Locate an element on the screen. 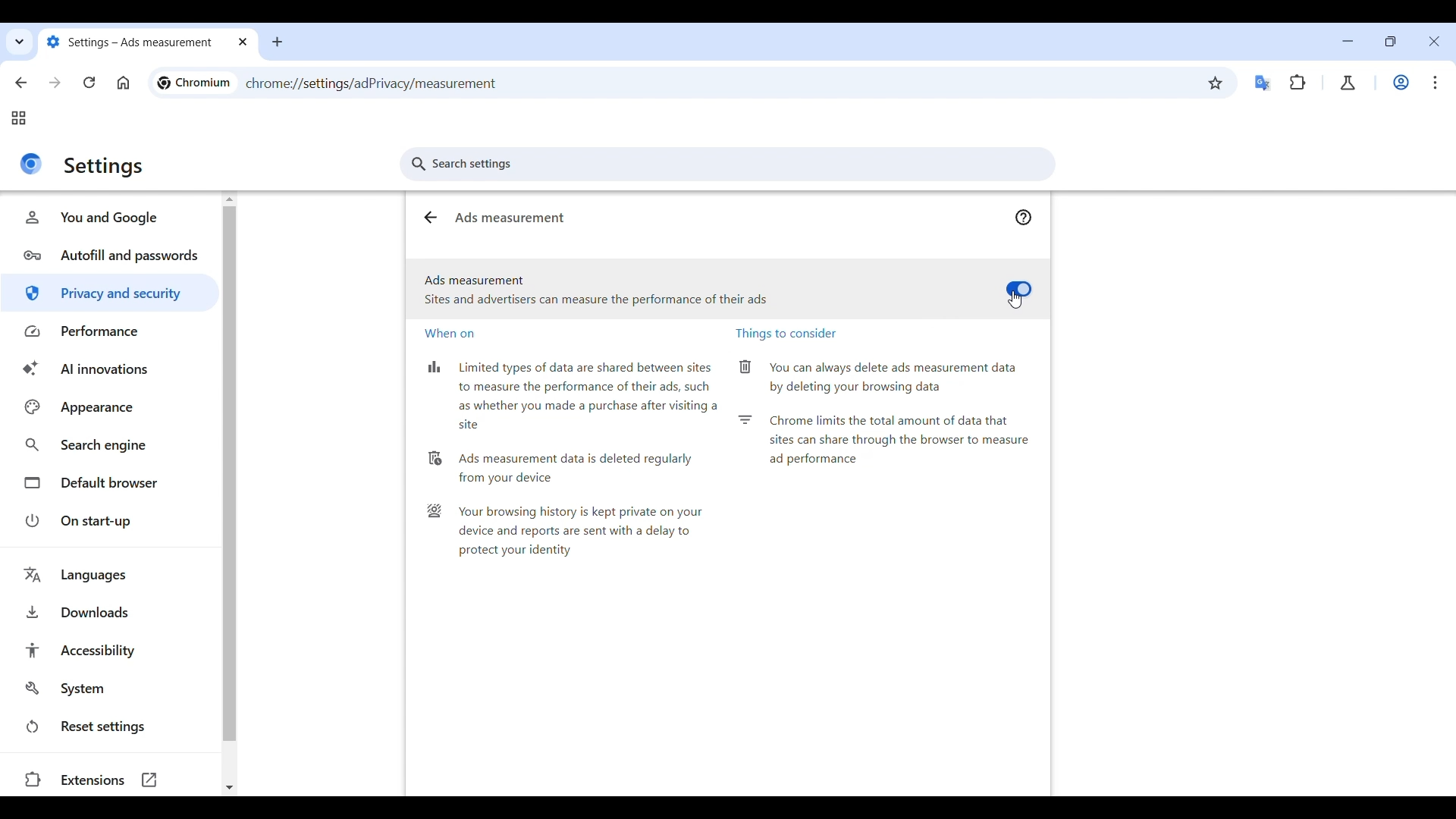 The height and width of the screenshot is (819, 1456). Default browser is located at coordinates (109, 483).